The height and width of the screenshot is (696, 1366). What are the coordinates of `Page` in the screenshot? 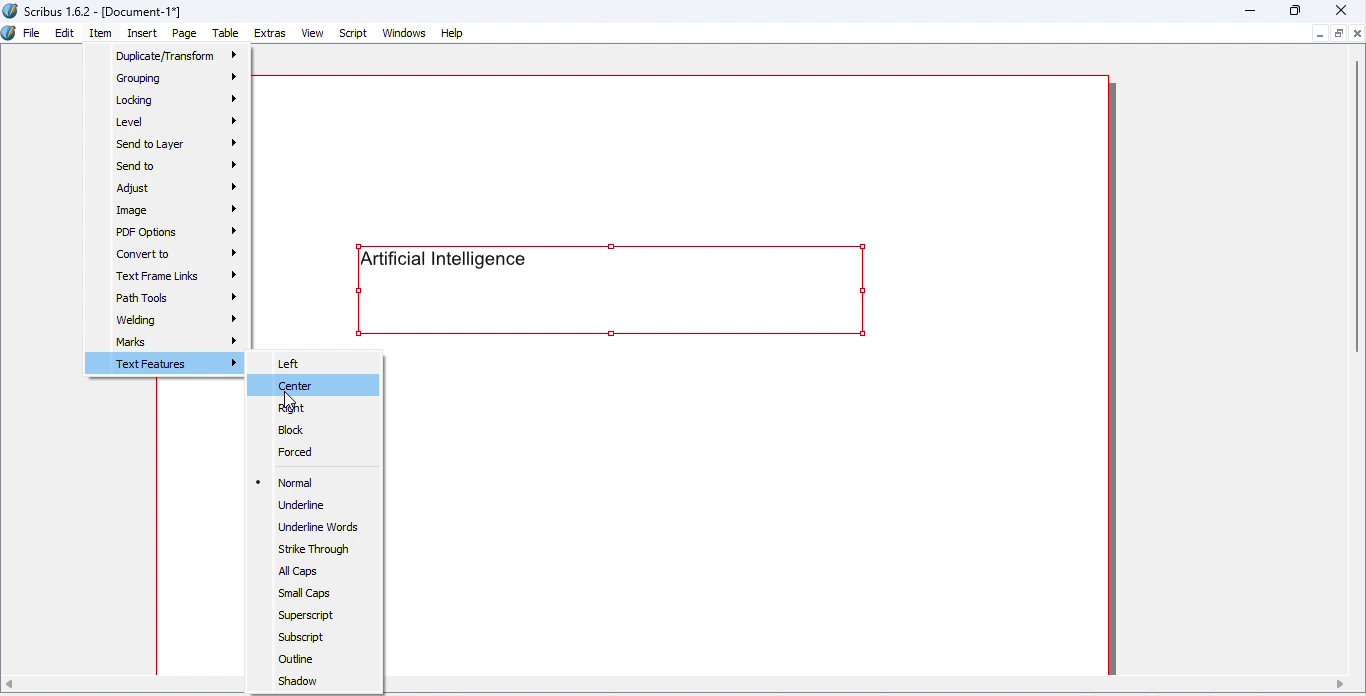 It's located at (186, 33).